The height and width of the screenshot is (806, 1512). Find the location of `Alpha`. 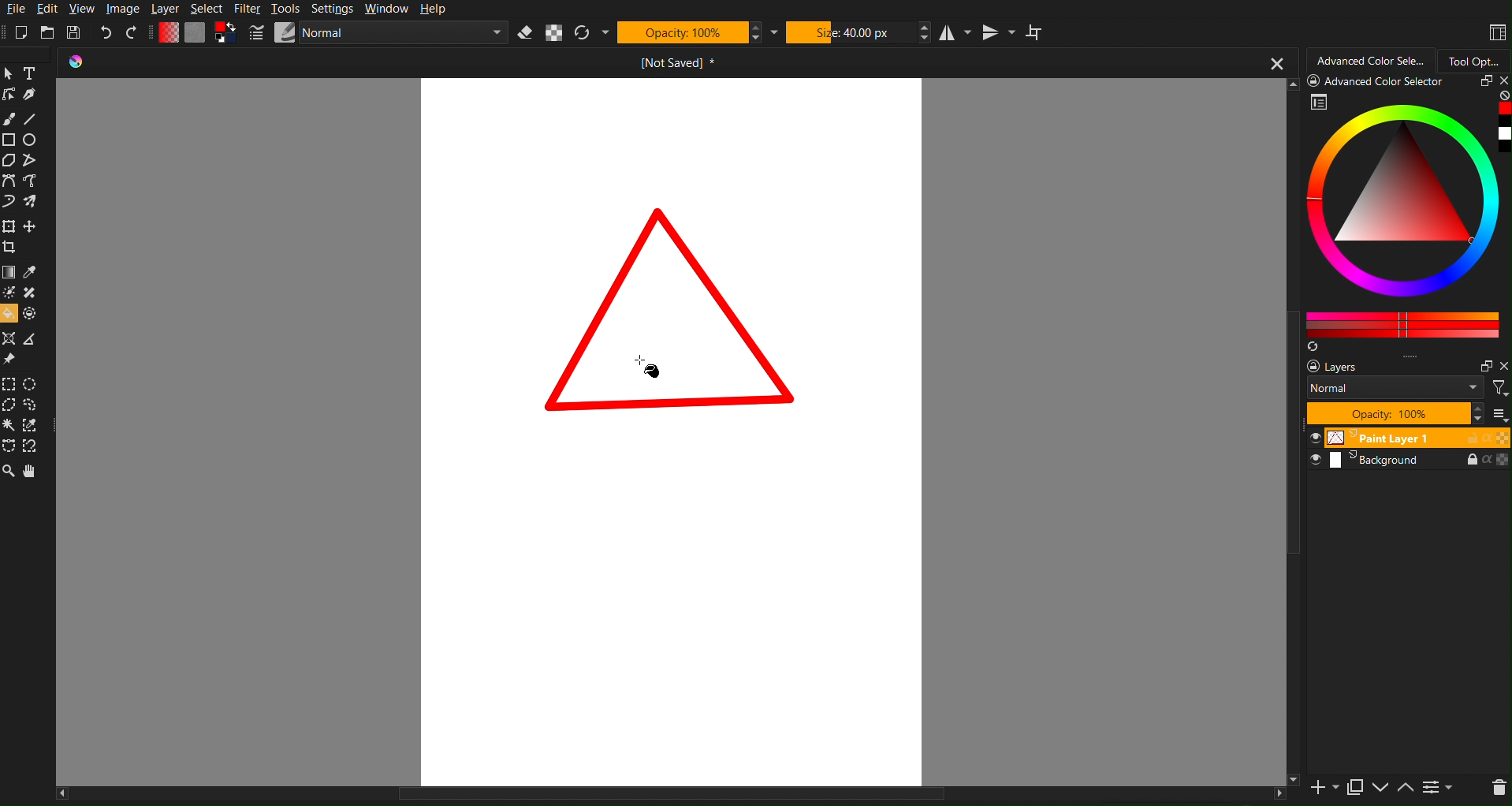

Alpha is located at coordinates (554, 33).